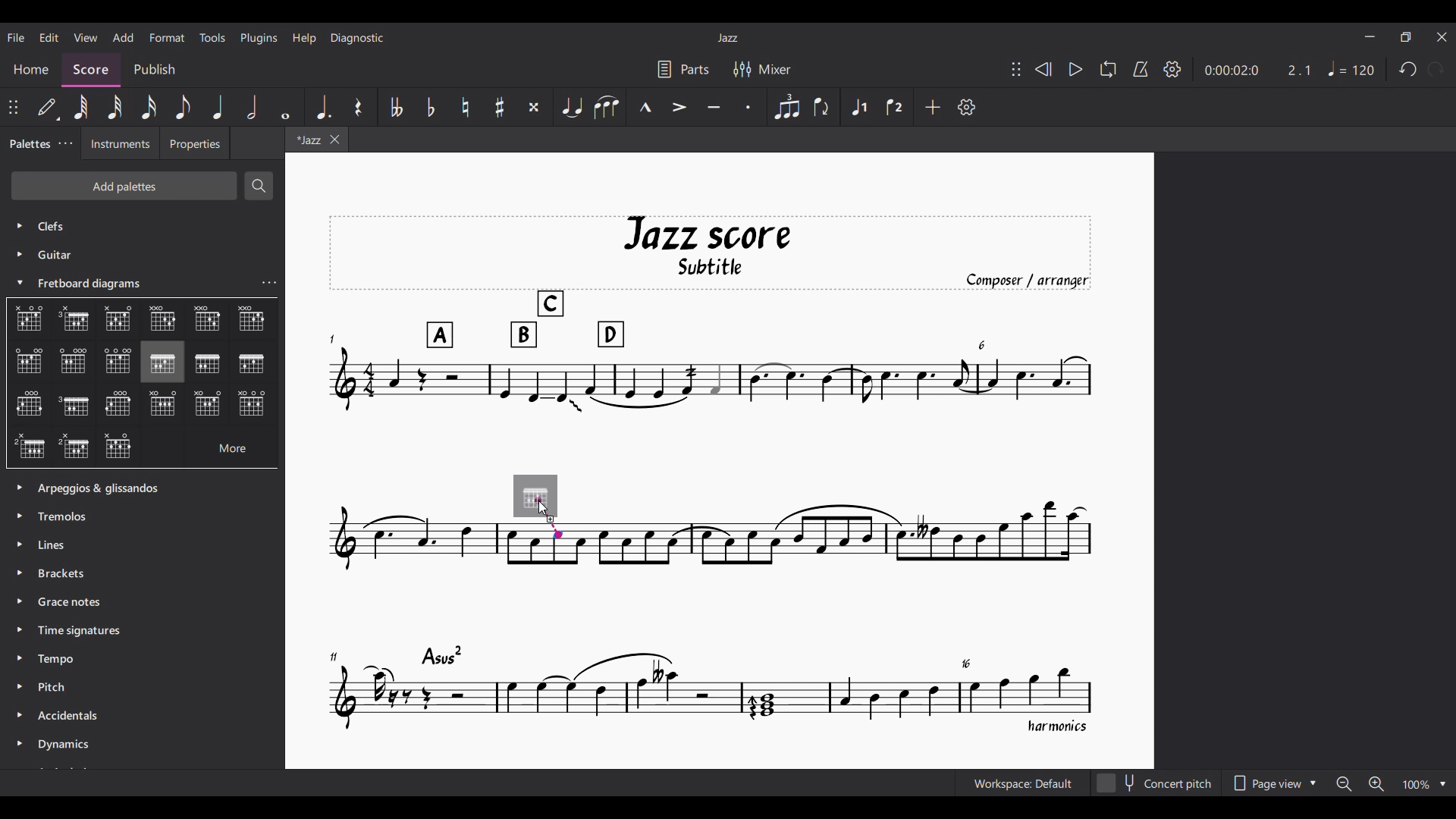 The width and height of the screenshot is (1456, 819). Describe the element at coordinates (357, 38) in the screenshot. I see `Diagnostic menu` at that location.